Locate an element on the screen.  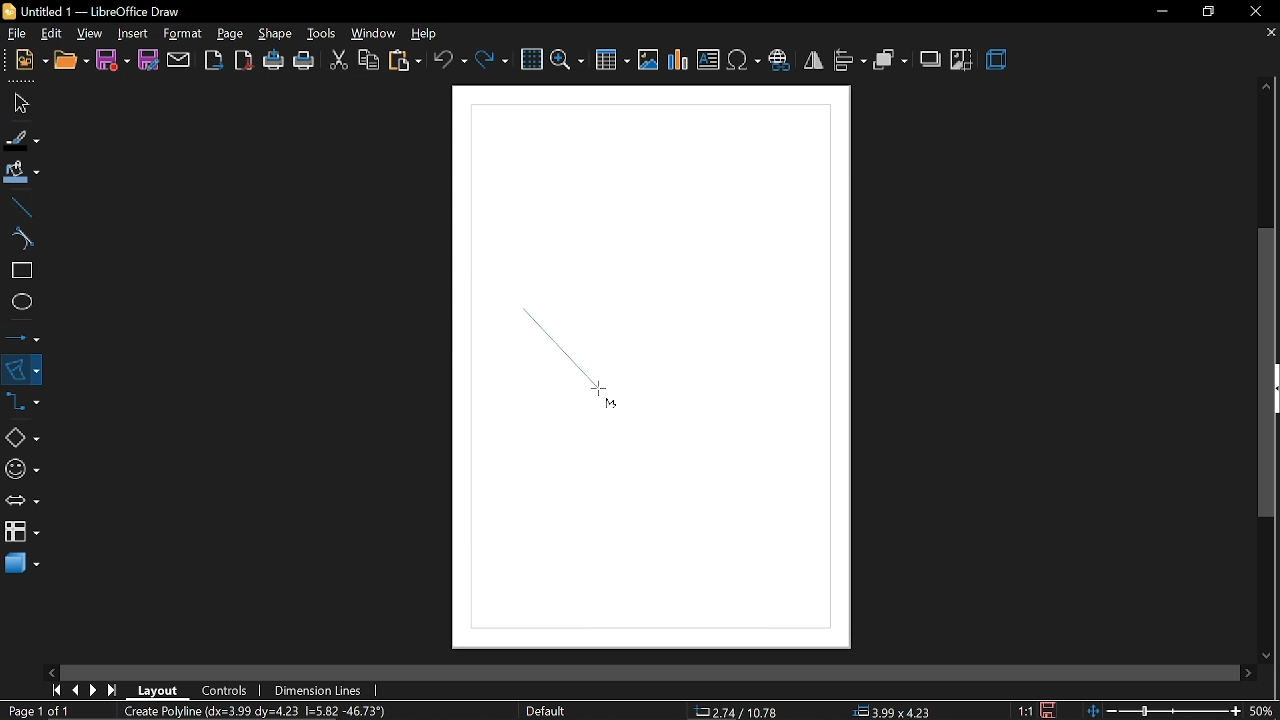
layout is located at coordinates (158, 689).